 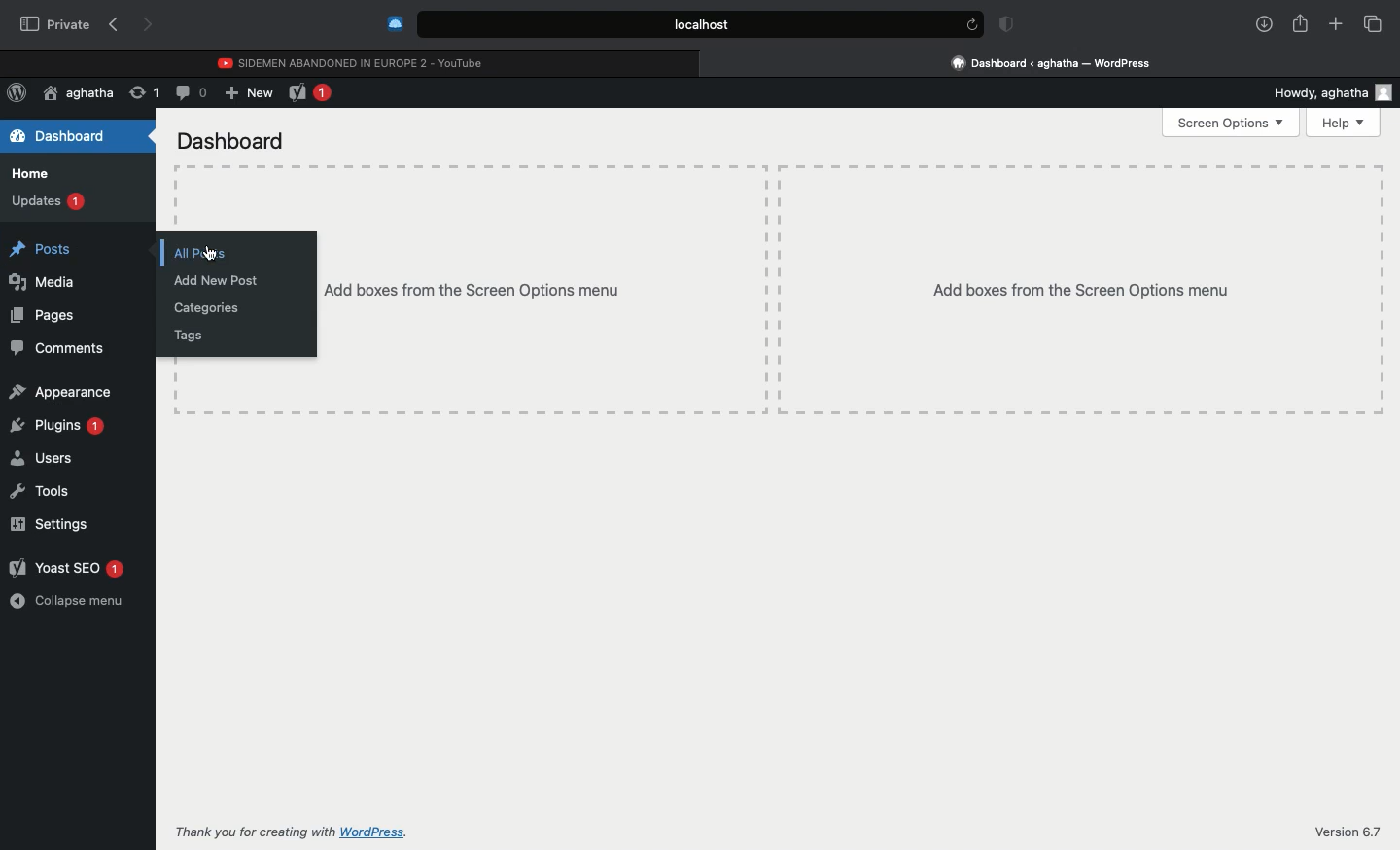 What do you see at coordinates (17, 93) in the screenshot?
I see `Wordpress` at bounding box center [17, 93].